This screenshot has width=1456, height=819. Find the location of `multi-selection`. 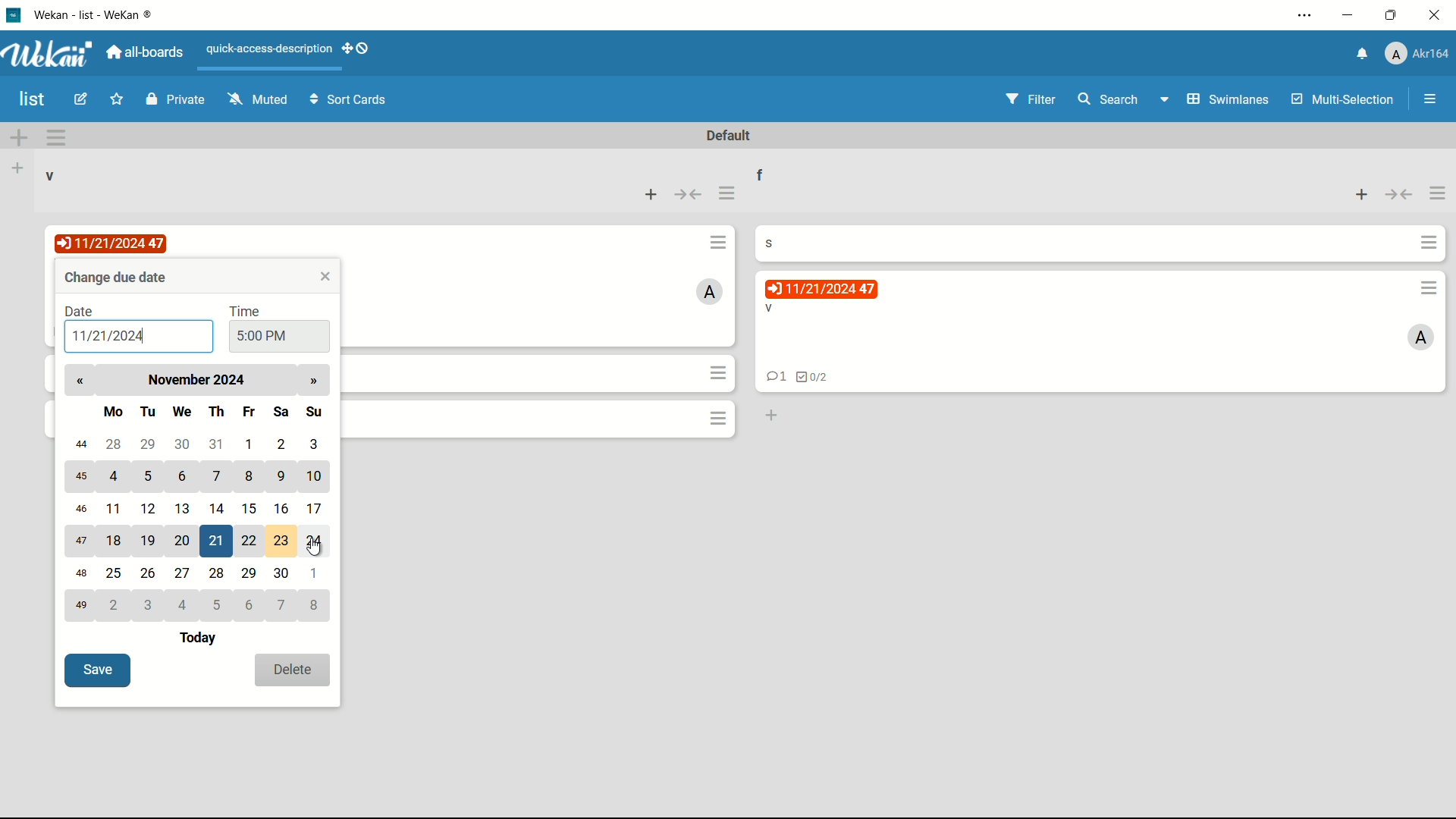

multi-selection is located at coordinates (1341, 99).